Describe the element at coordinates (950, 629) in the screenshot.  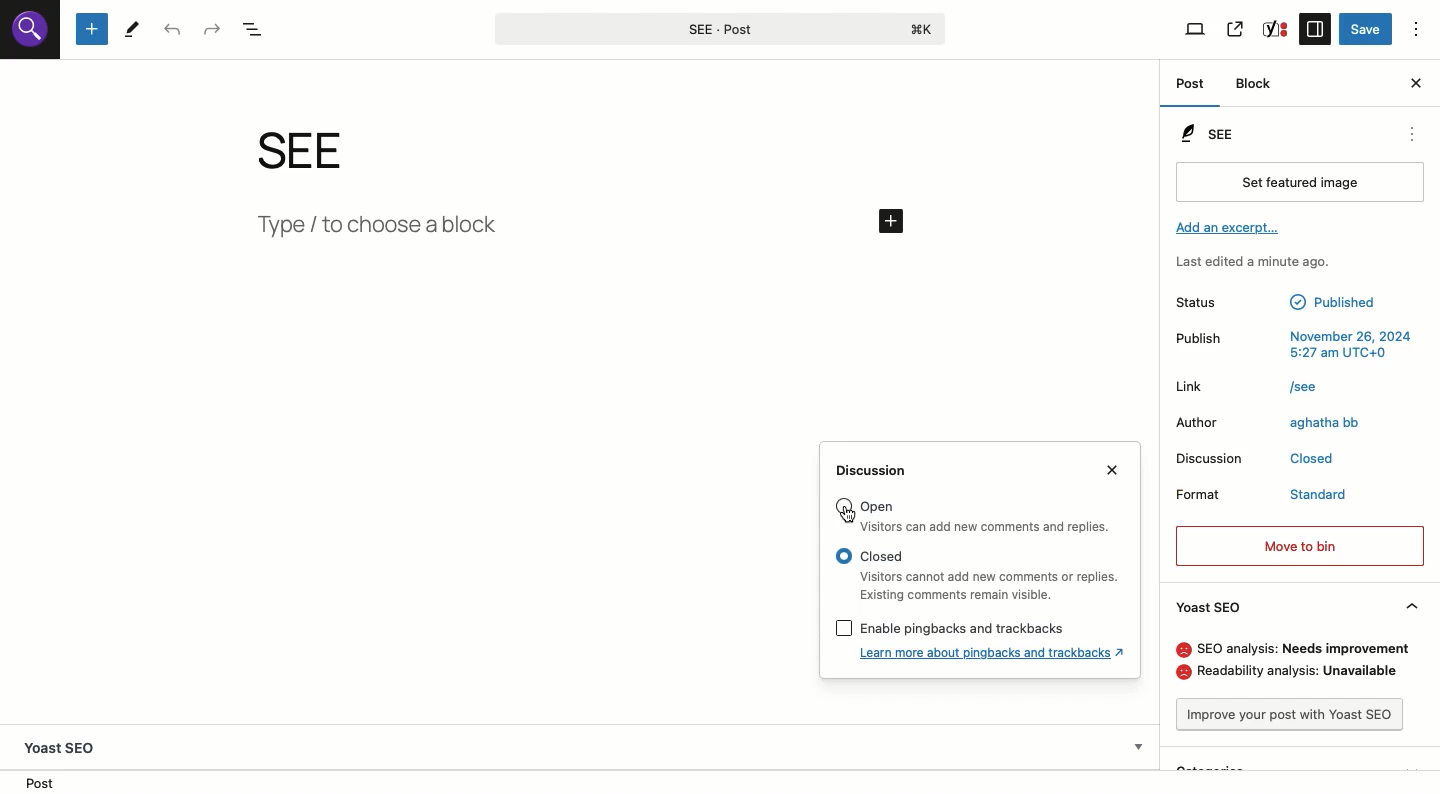
I see `[J Enable pingbacks and trackbacks` at that location.